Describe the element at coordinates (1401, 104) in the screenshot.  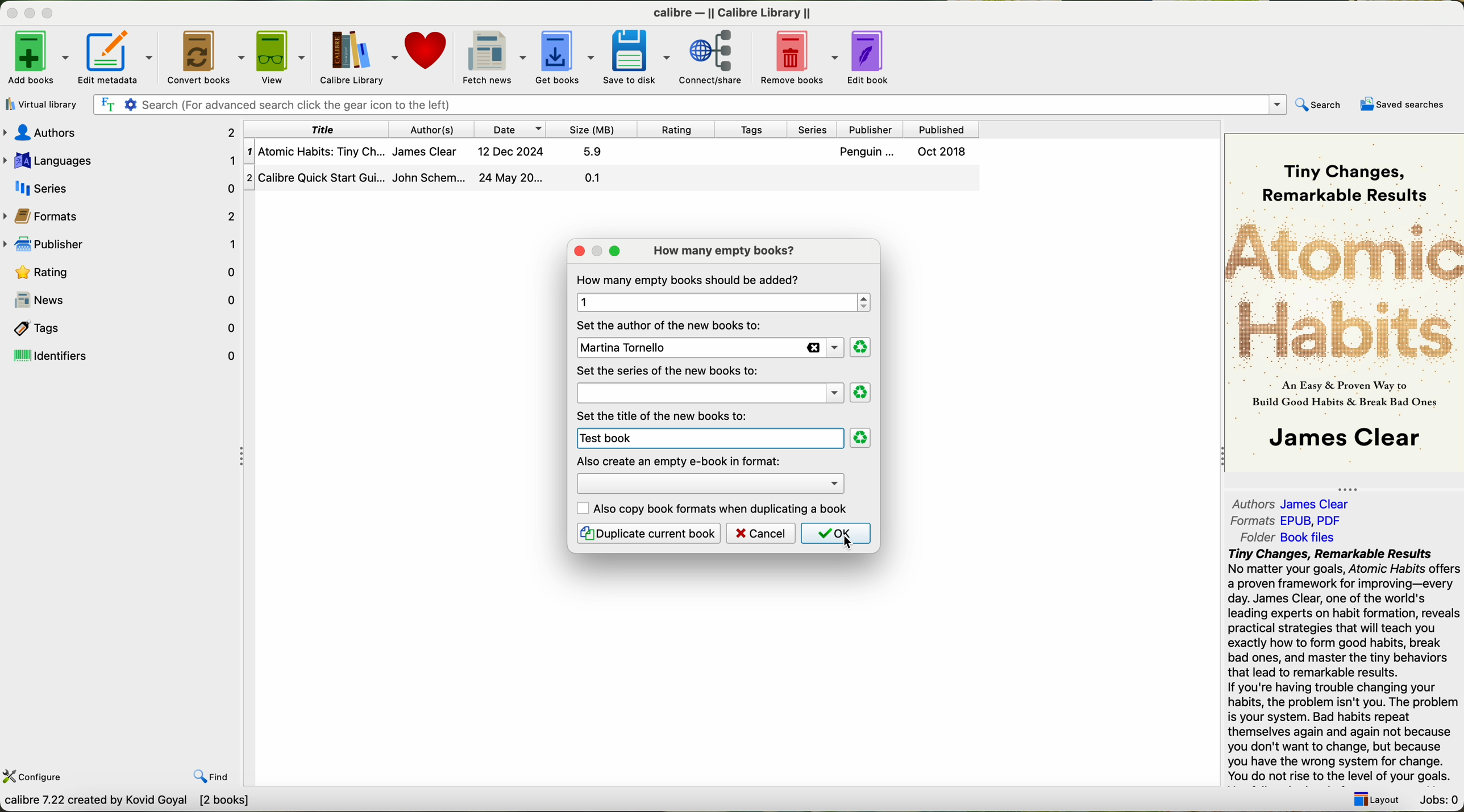
I see `saved searches` at that location.